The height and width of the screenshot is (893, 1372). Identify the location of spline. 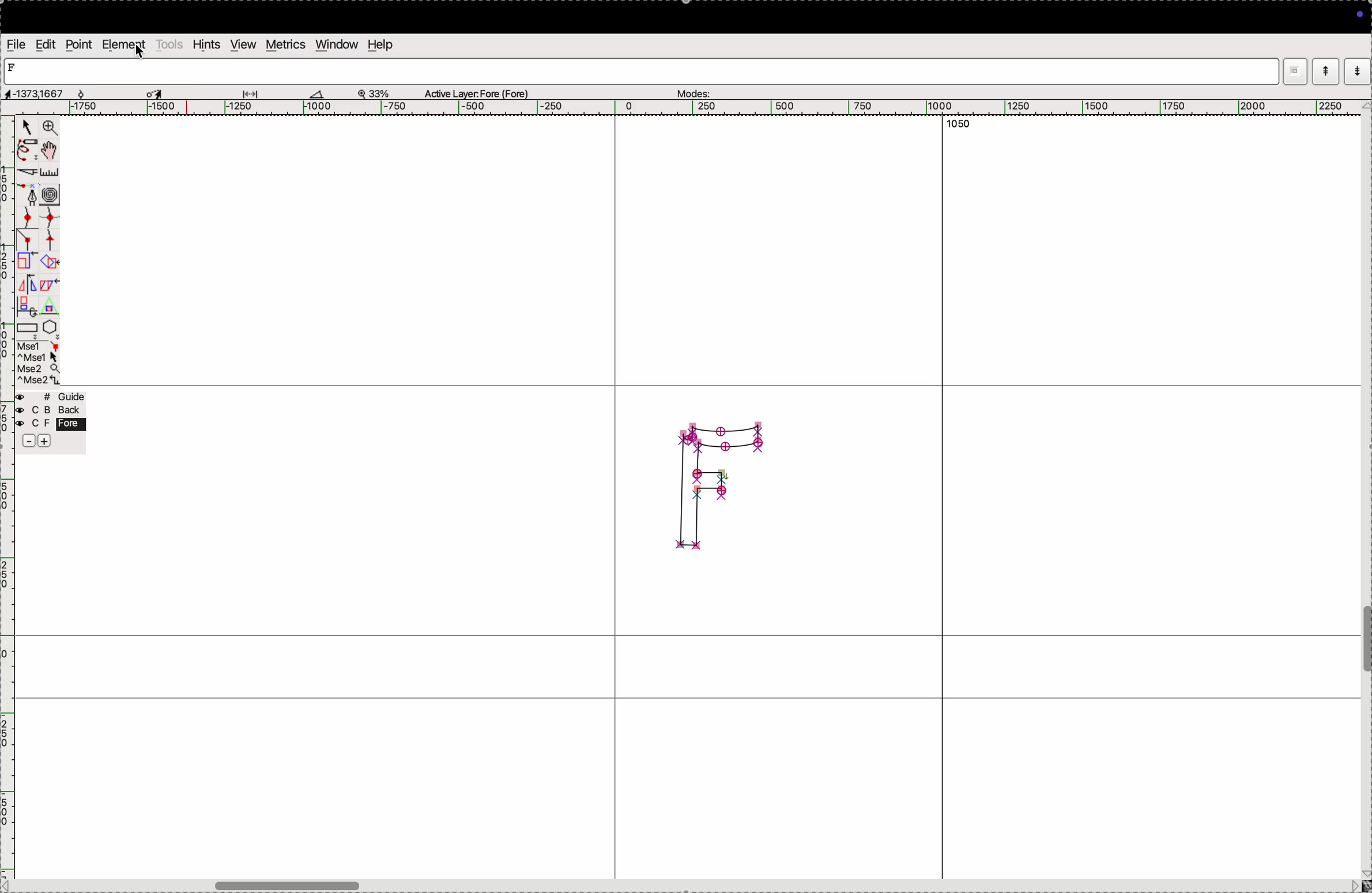
(49, 230).